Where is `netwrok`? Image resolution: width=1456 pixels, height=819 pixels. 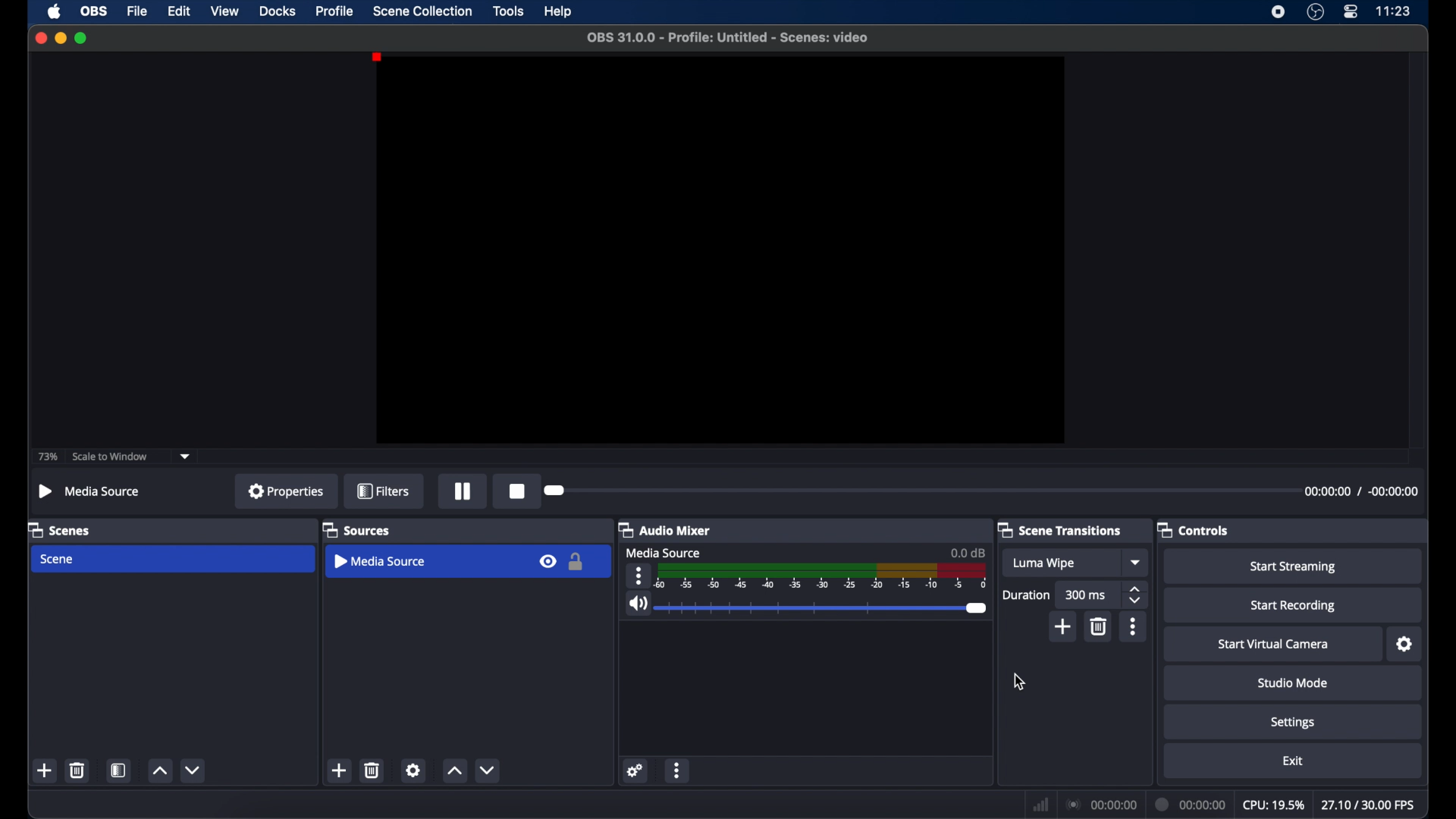 netwrok is located at coordinates (1040, 805).